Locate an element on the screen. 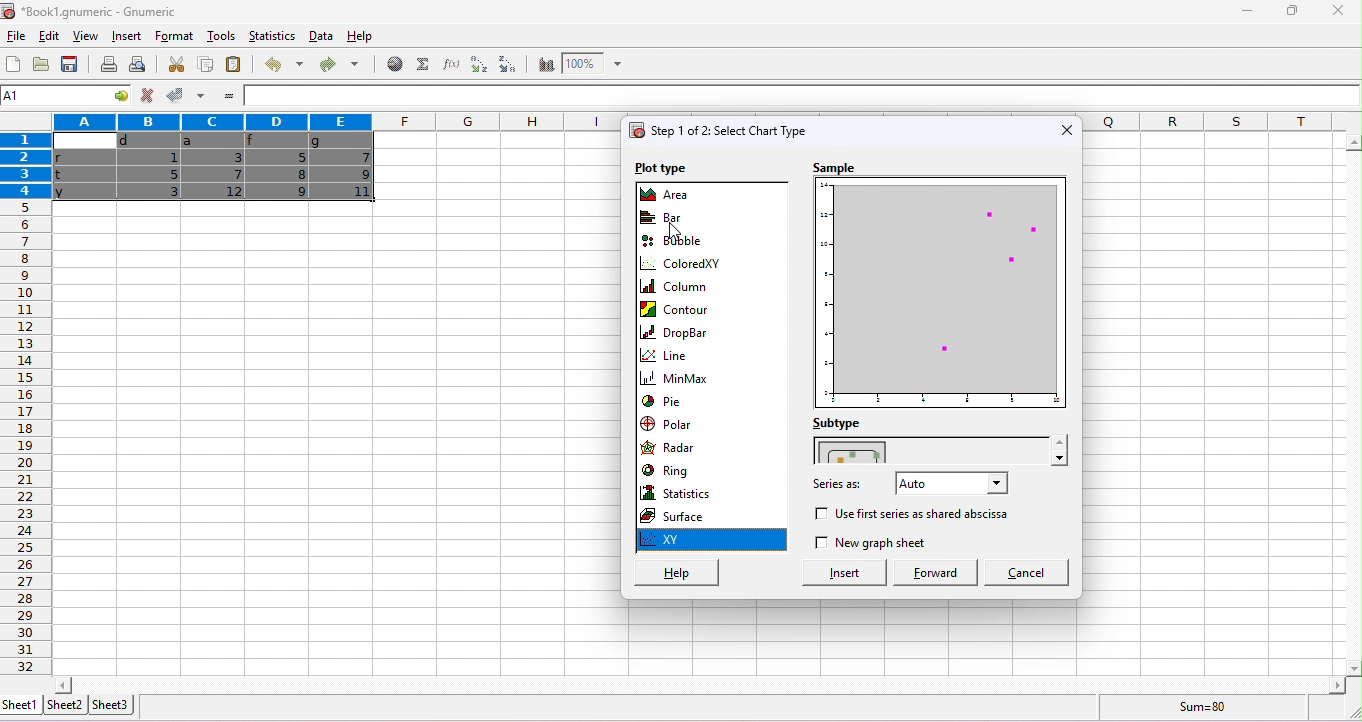  horizontal slider is located at coordinates (699, 685).